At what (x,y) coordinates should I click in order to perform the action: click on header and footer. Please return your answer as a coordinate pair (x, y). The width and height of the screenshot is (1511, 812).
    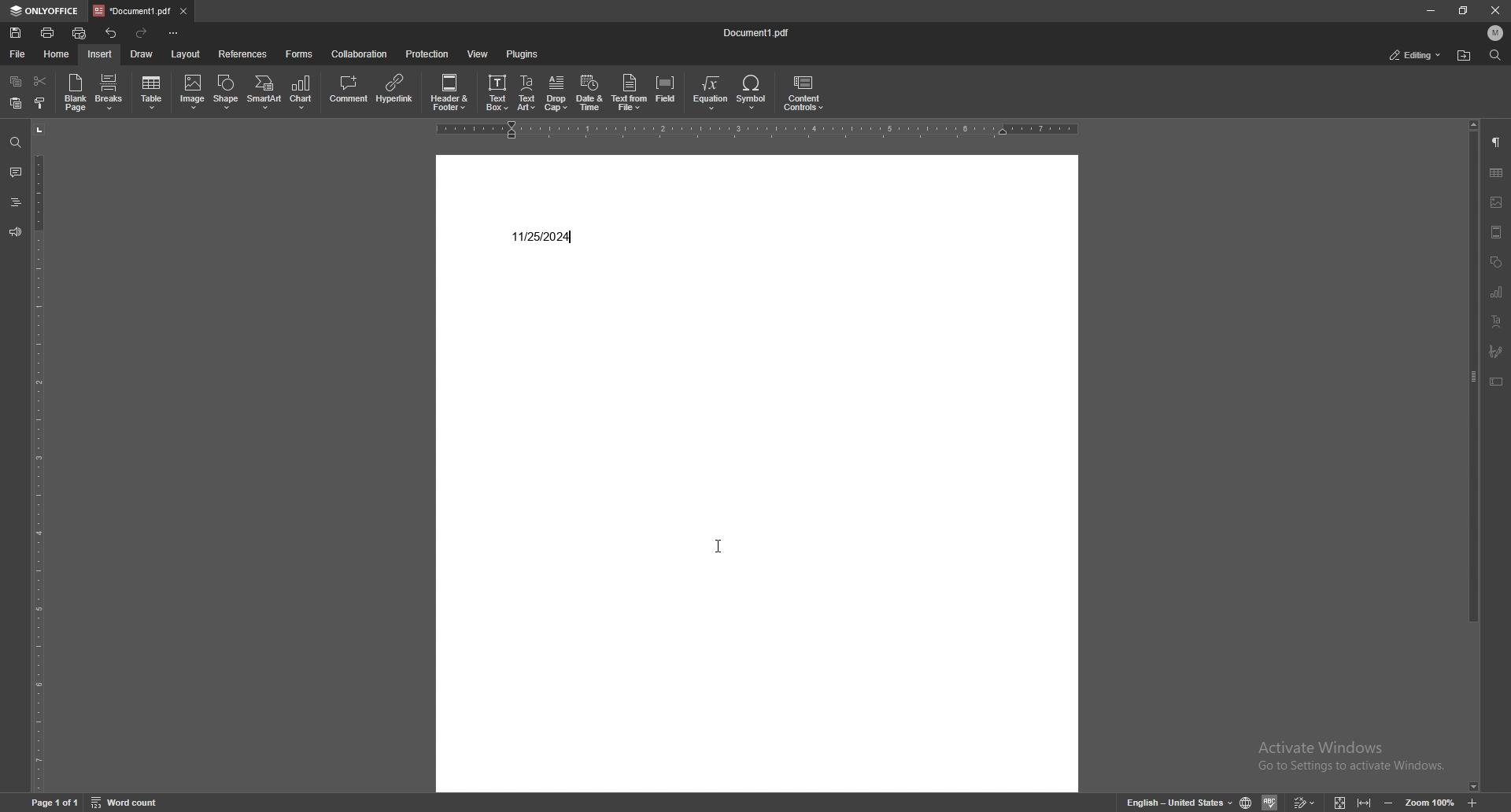
    Looking at the image, I should click on (452, 94).